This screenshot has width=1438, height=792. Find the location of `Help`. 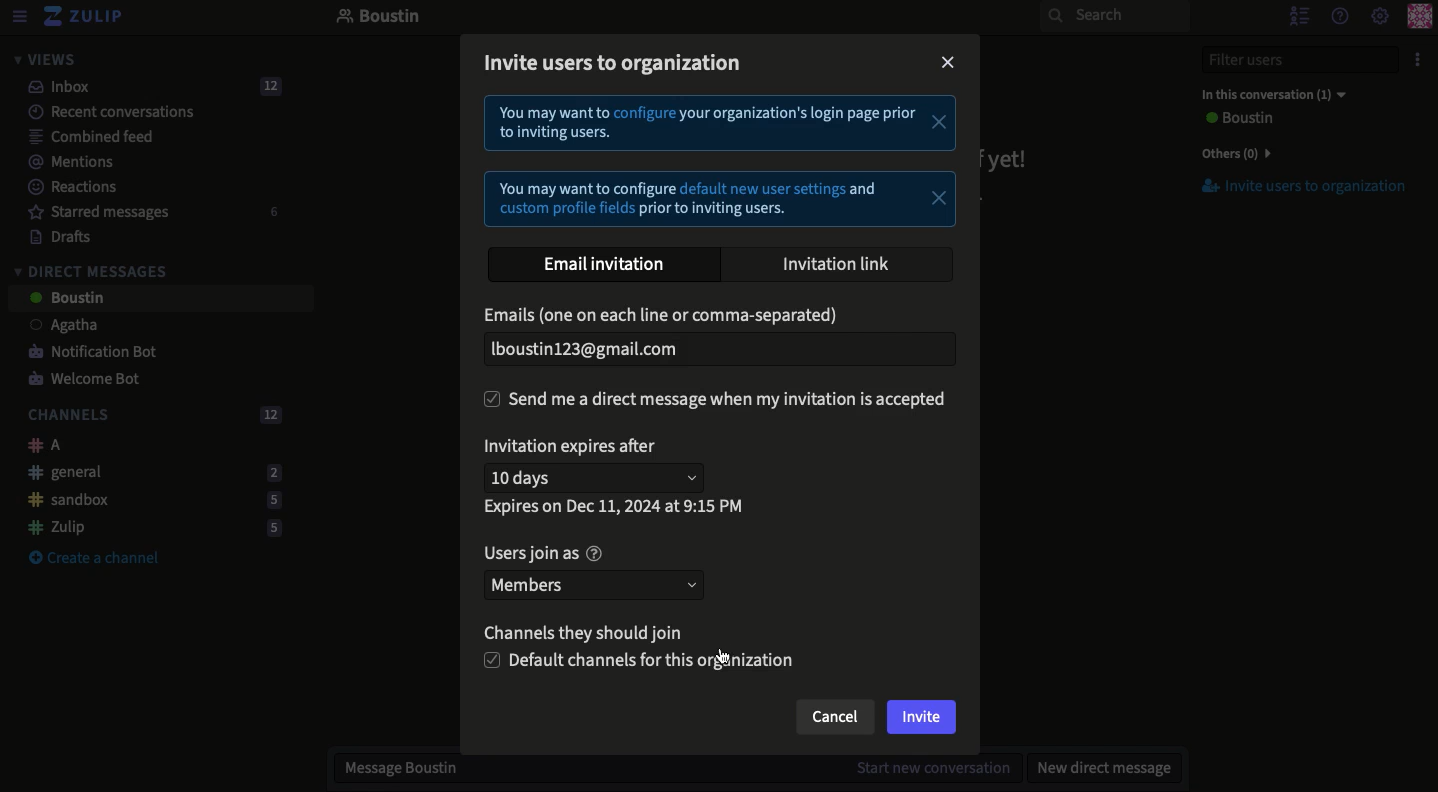

Help is located at coordinates (1338, 15).